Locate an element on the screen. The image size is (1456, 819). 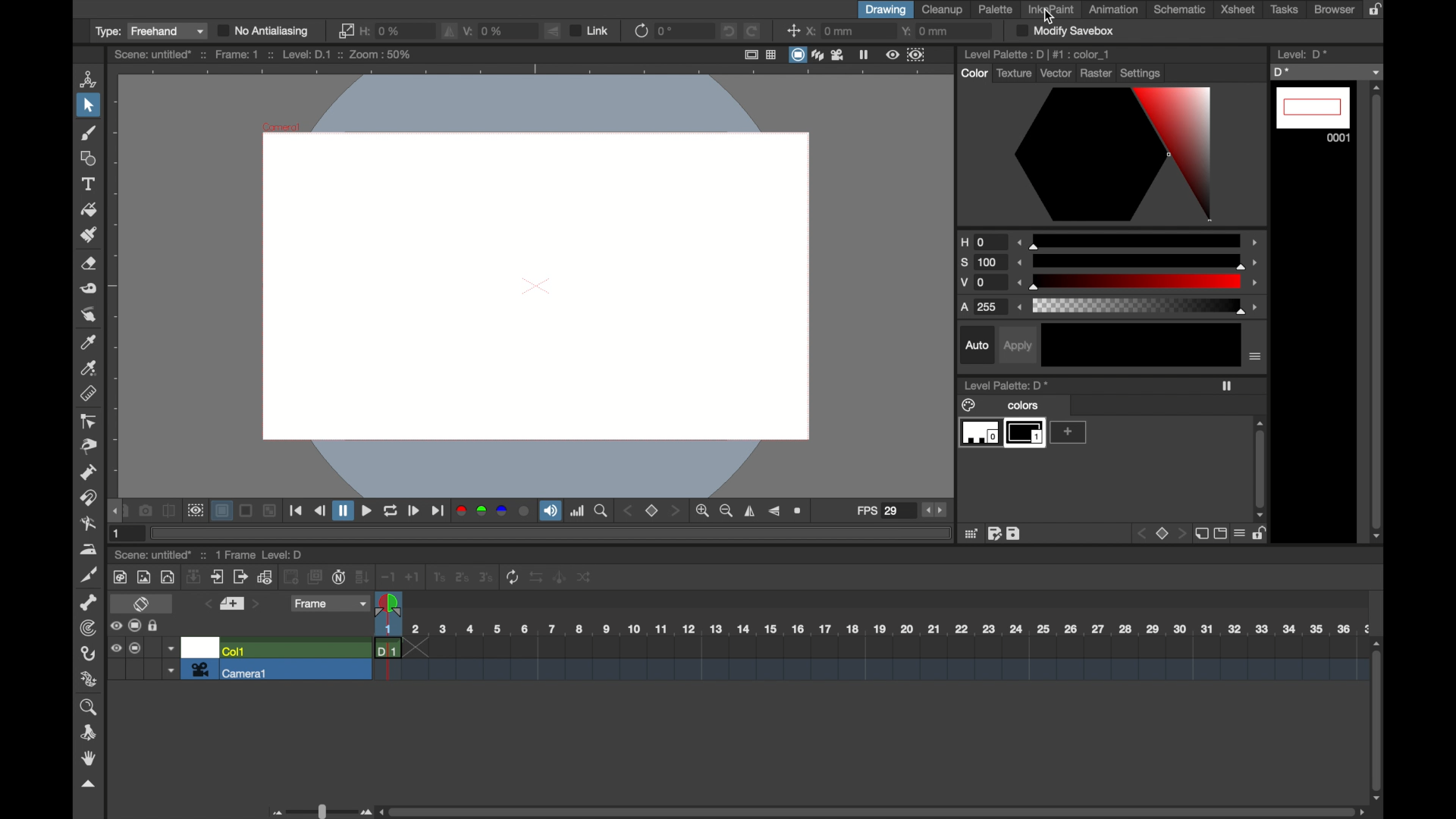
zoom is located at coordinates (602, 511).